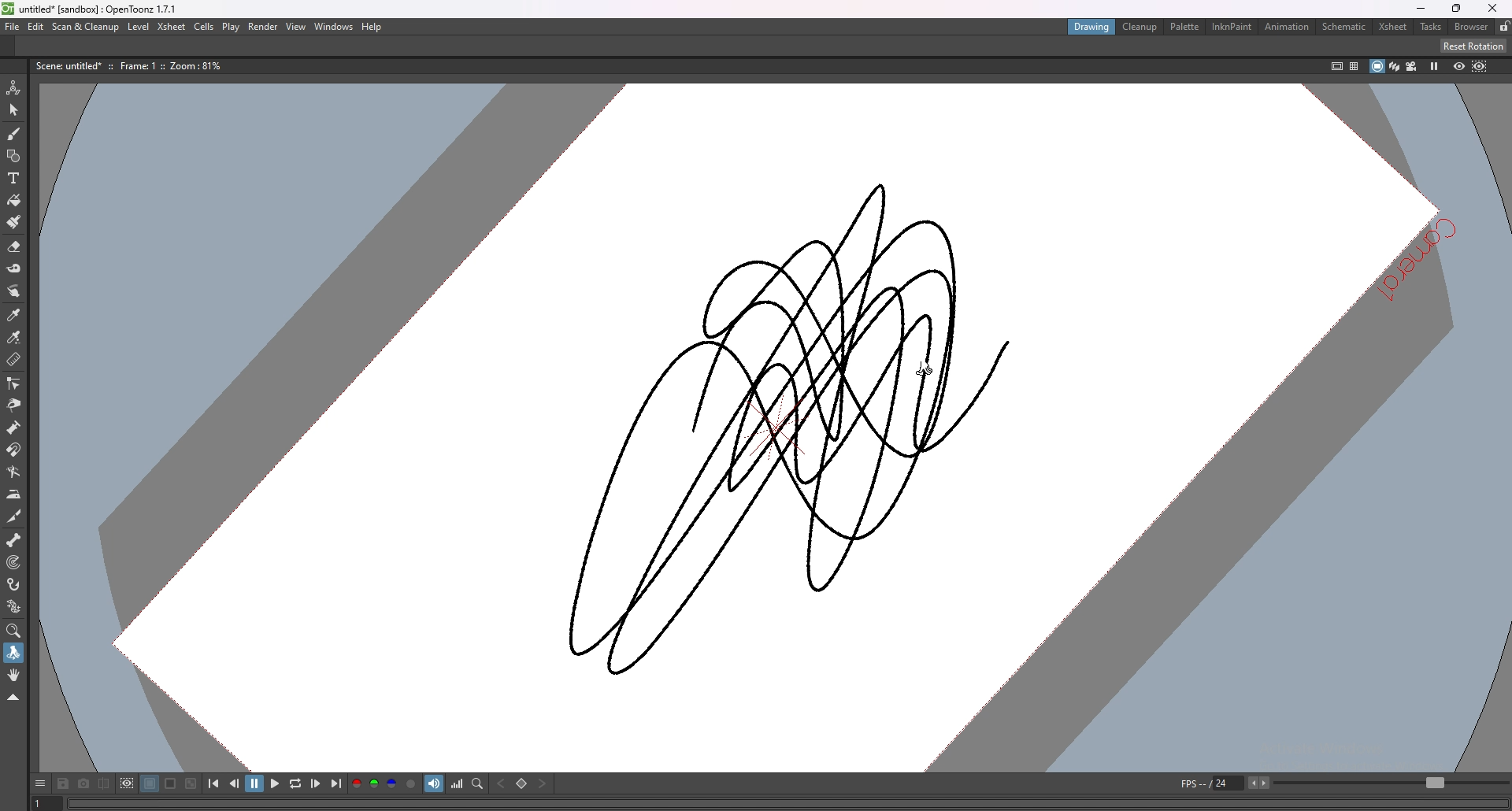 This screenshot has height=811, width=1512. I want to click on schematic, so click(1346, 26).